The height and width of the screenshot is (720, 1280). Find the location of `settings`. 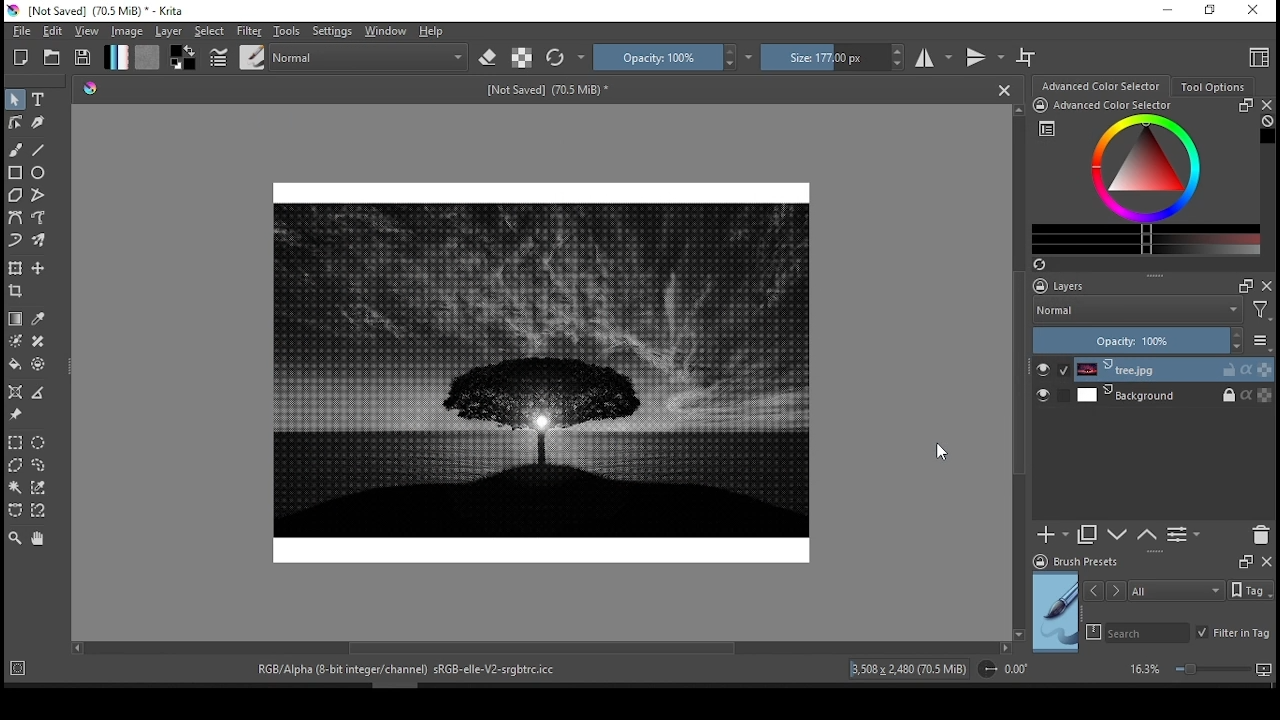

settings is located at coordinates (332, 32).